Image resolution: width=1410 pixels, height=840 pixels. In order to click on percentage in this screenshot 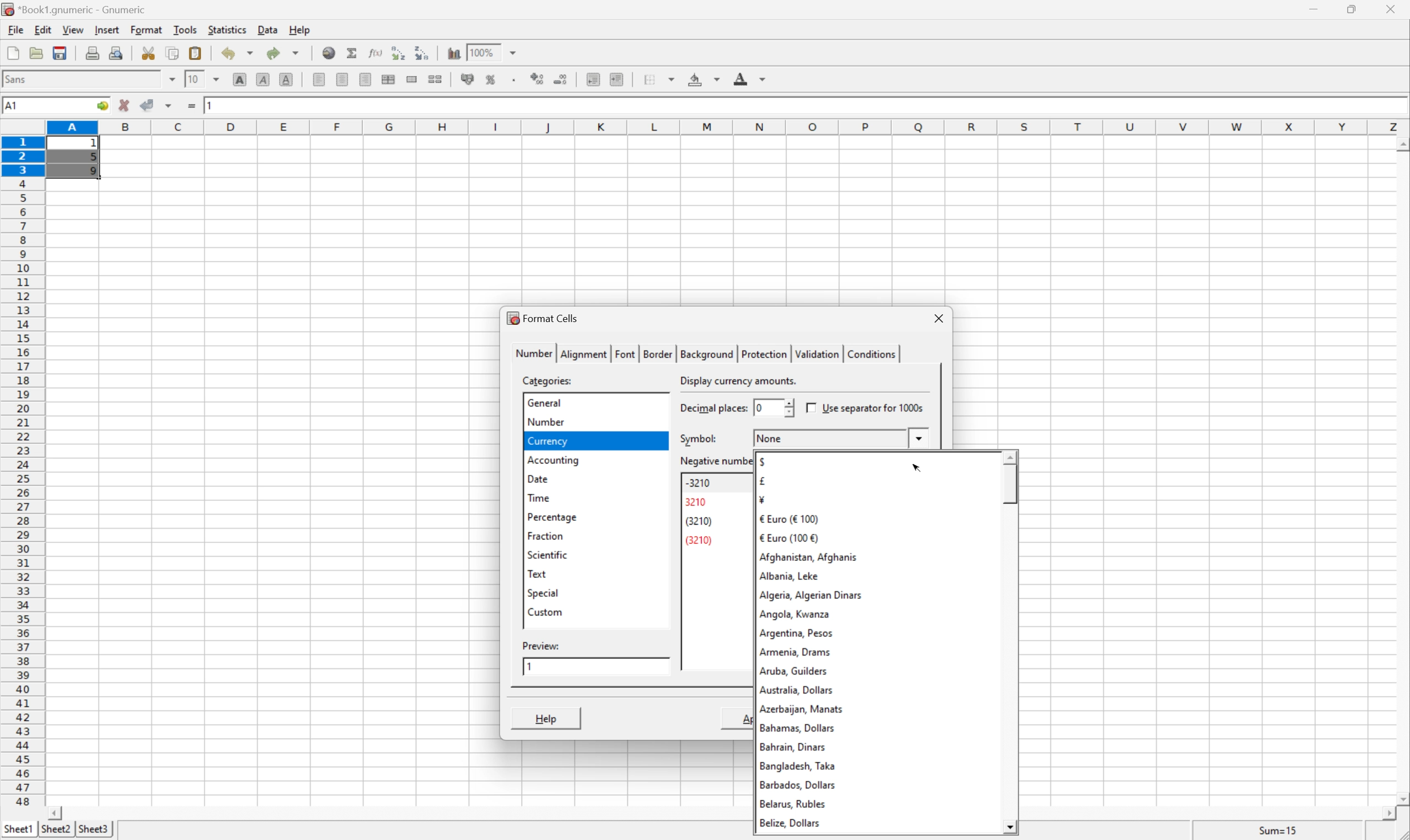, I will do `click(553, 517)`.